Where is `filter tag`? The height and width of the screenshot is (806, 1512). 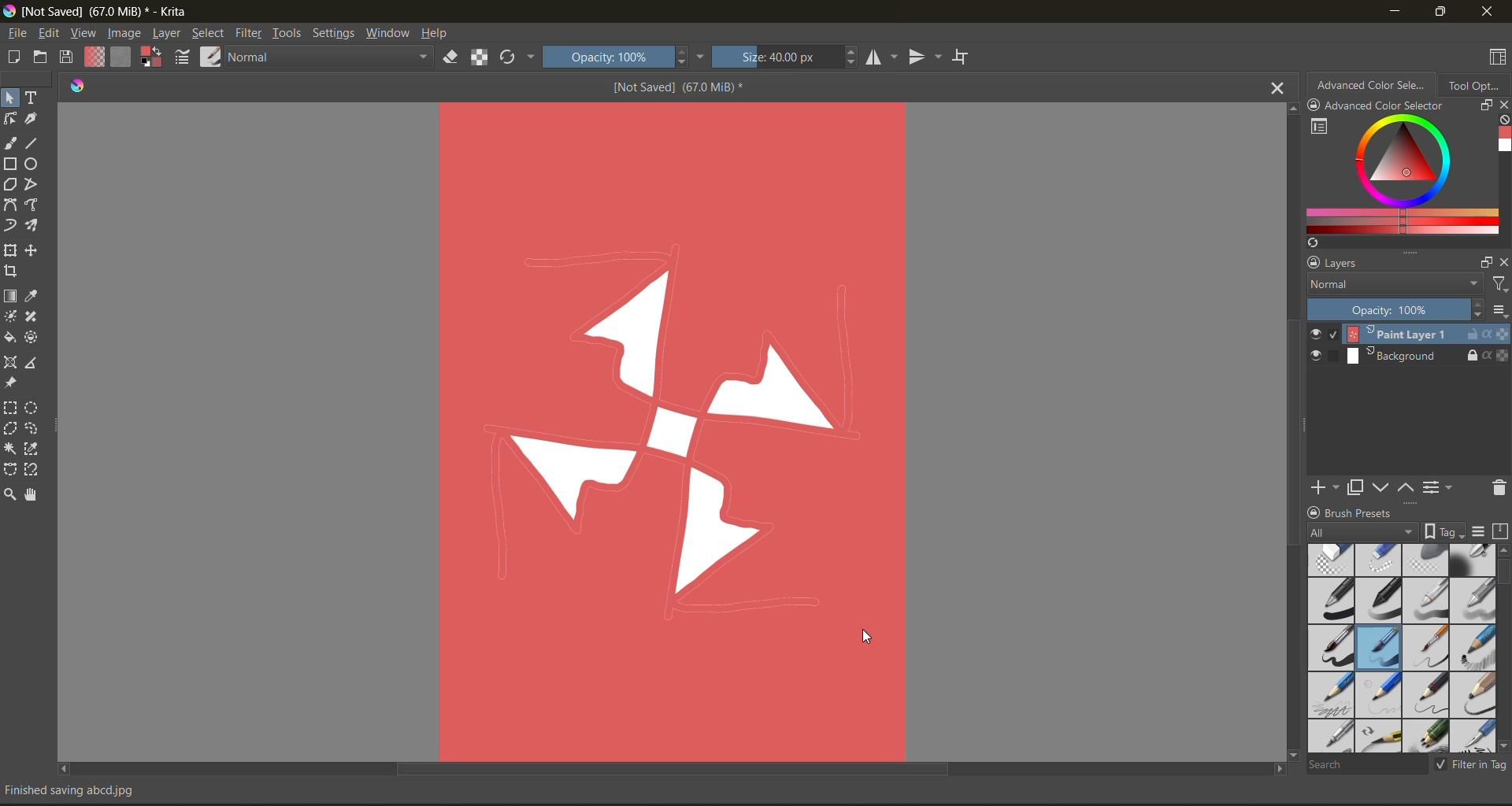
filter tag is located at coordinates (1471, 766).